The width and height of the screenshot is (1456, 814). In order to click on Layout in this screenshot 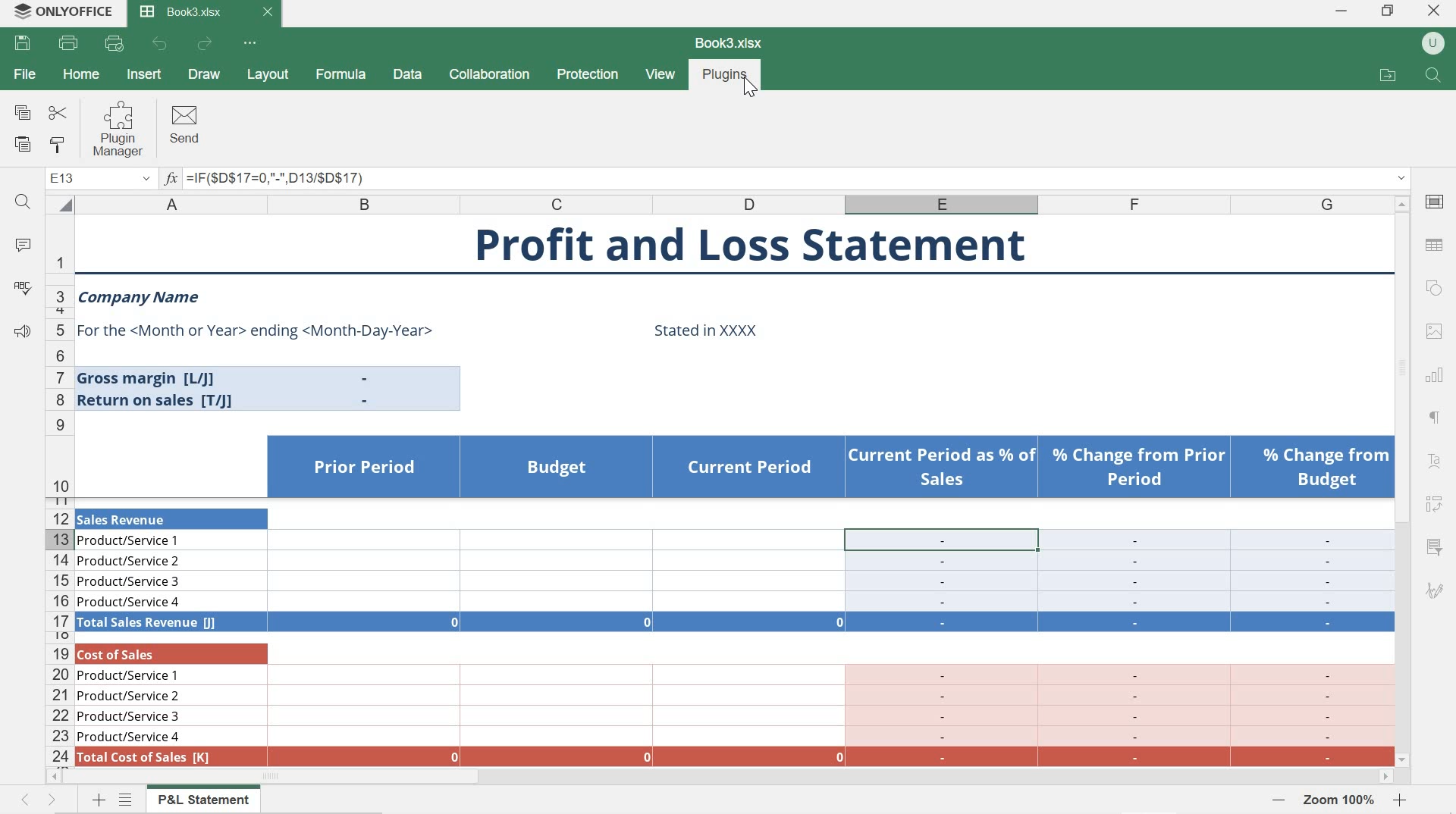, I will do `click(270, 77)`.